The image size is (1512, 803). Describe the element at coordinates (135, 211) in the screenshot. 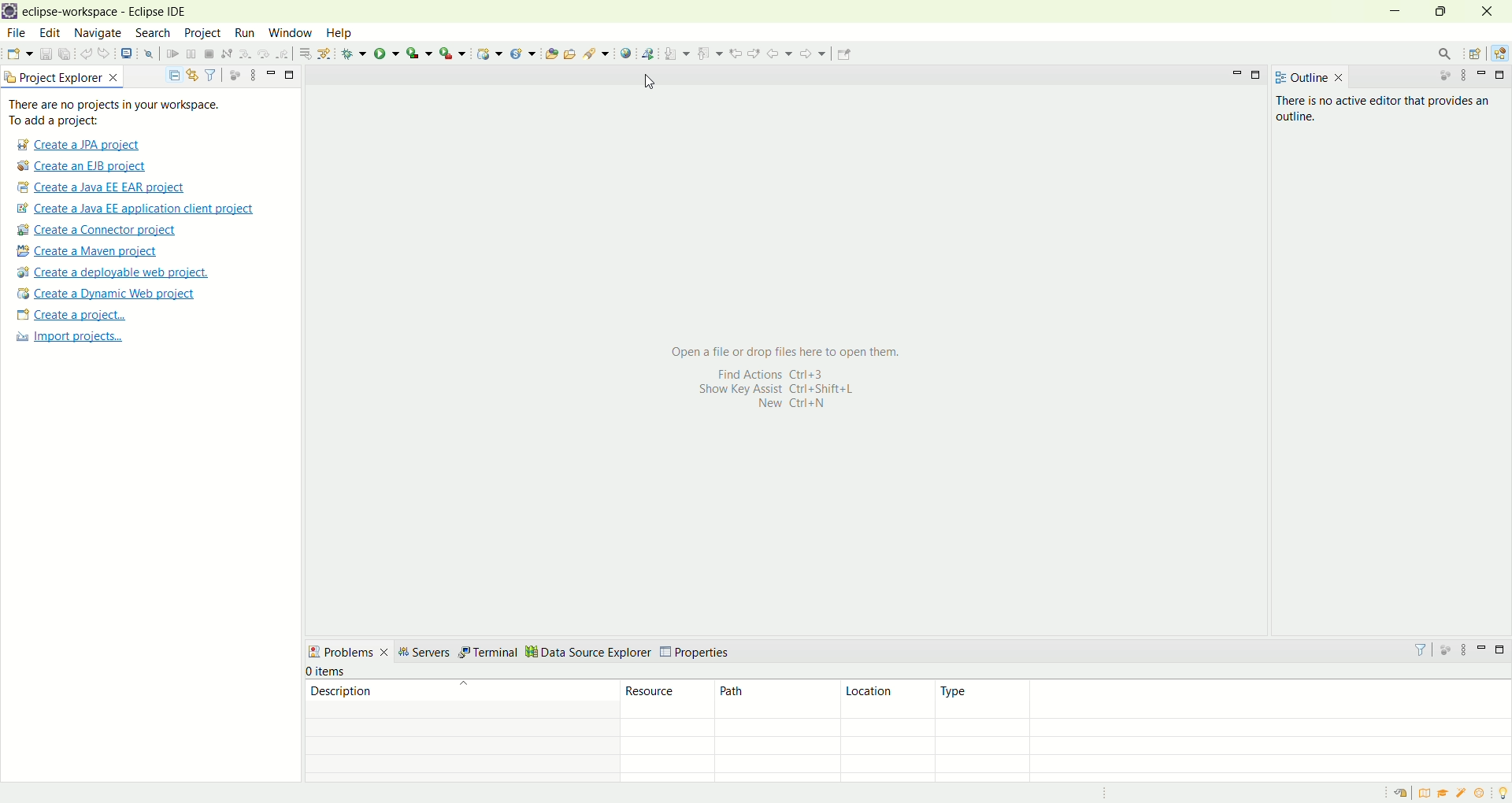

I see `create a Java EE application client project` at that location.